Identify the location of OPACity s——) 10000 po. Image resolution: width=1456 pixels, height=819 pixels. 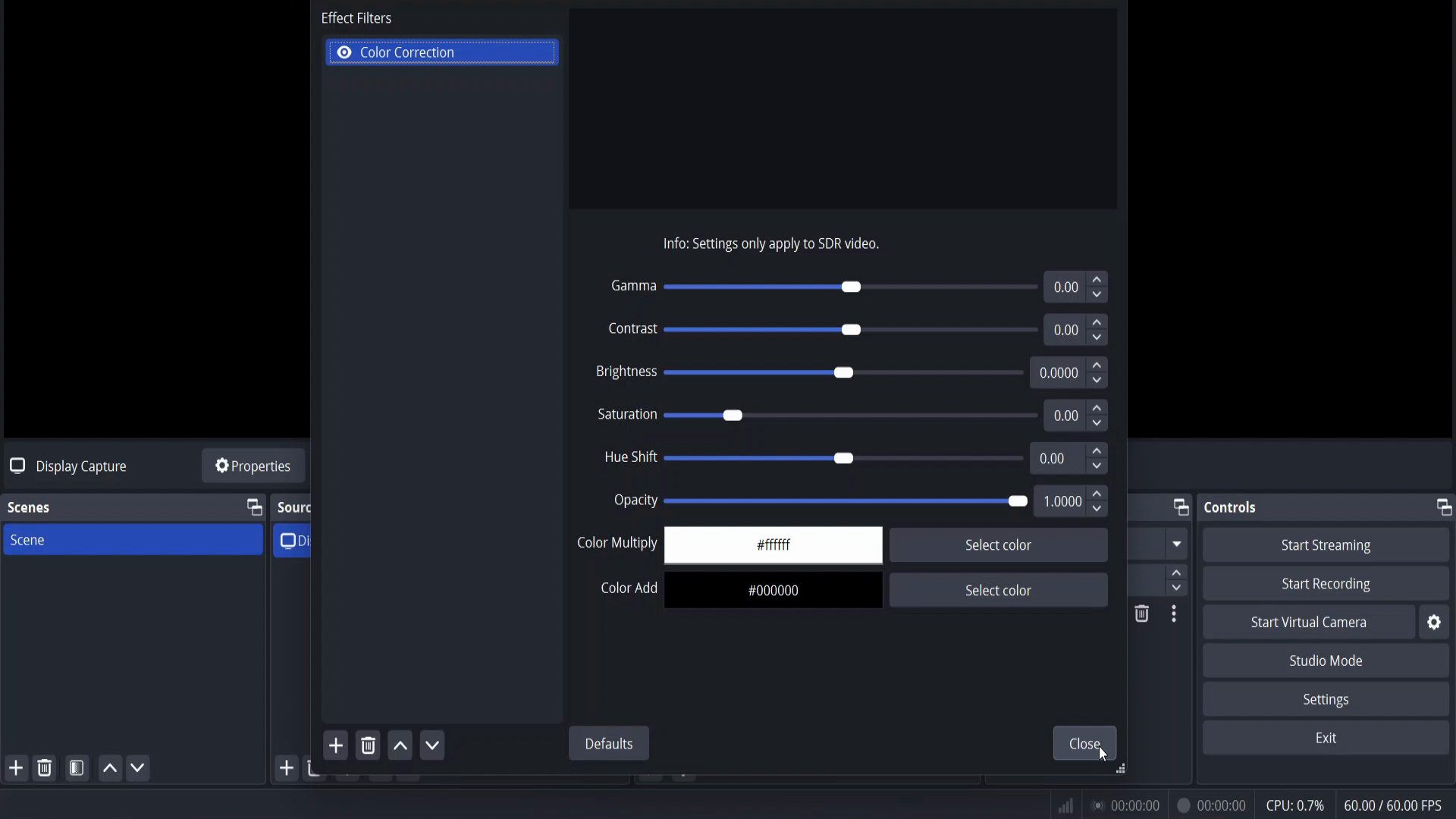
(839, 503).